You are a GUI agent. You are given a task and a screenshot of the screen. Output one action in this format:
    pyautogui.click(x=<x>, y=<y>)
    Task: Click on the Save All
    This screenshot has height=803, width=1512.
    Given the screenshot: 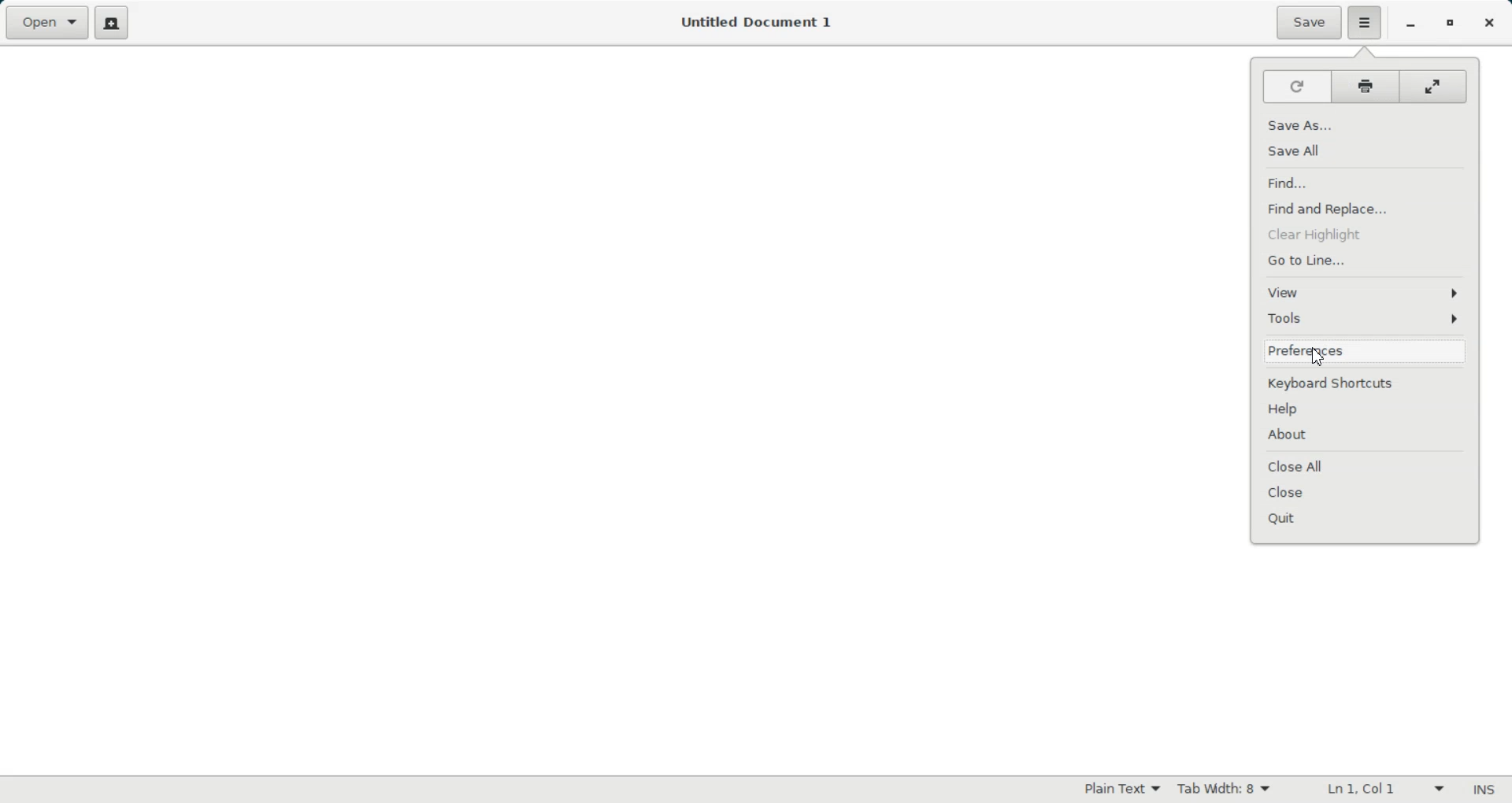 What is the action you would take?
    pyautogui.click(x=1366, y=150)
    